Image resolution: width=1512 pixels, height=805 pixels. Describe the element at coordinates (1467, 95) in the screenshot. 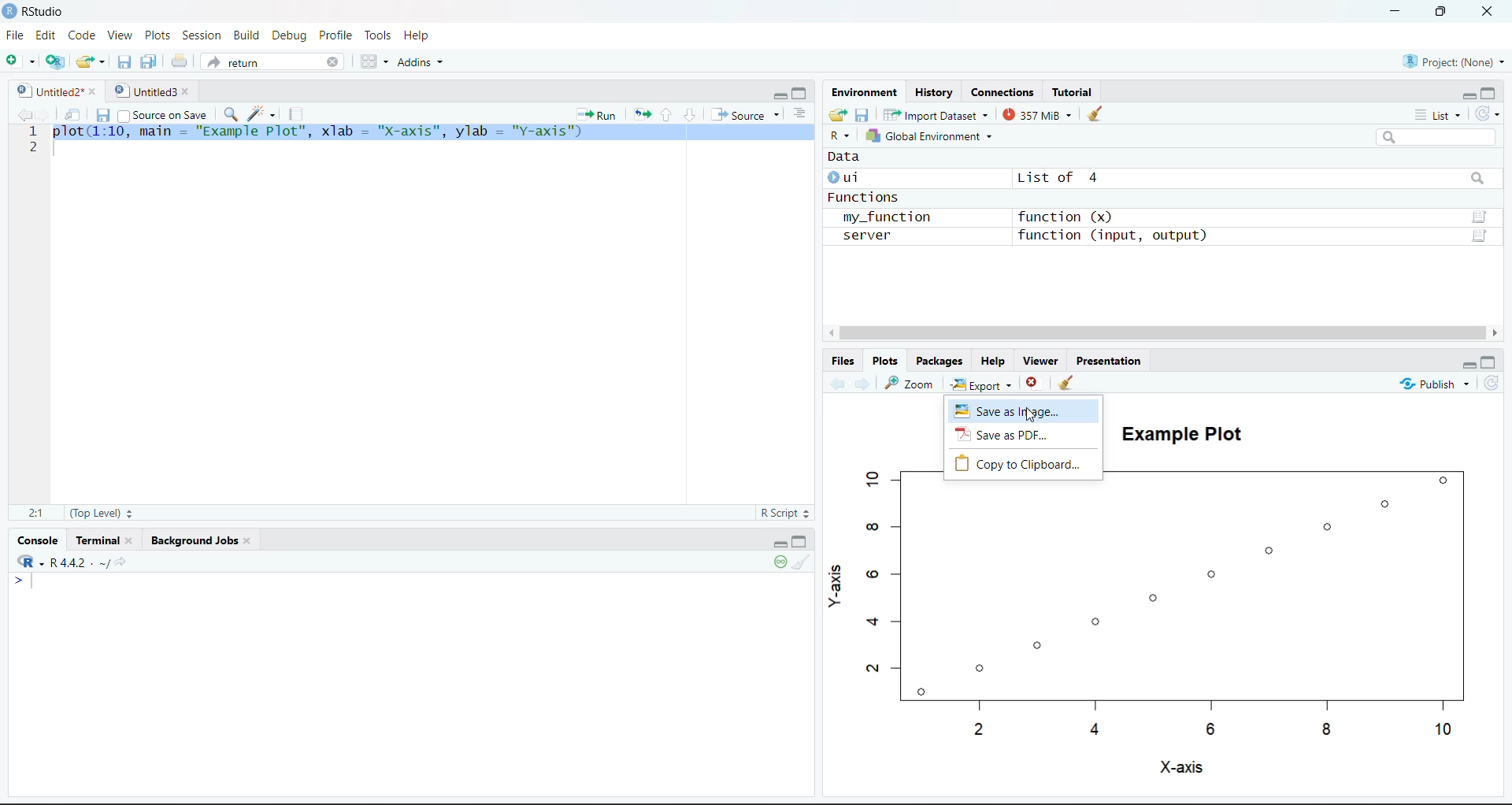

I see `Minimize` at that location.